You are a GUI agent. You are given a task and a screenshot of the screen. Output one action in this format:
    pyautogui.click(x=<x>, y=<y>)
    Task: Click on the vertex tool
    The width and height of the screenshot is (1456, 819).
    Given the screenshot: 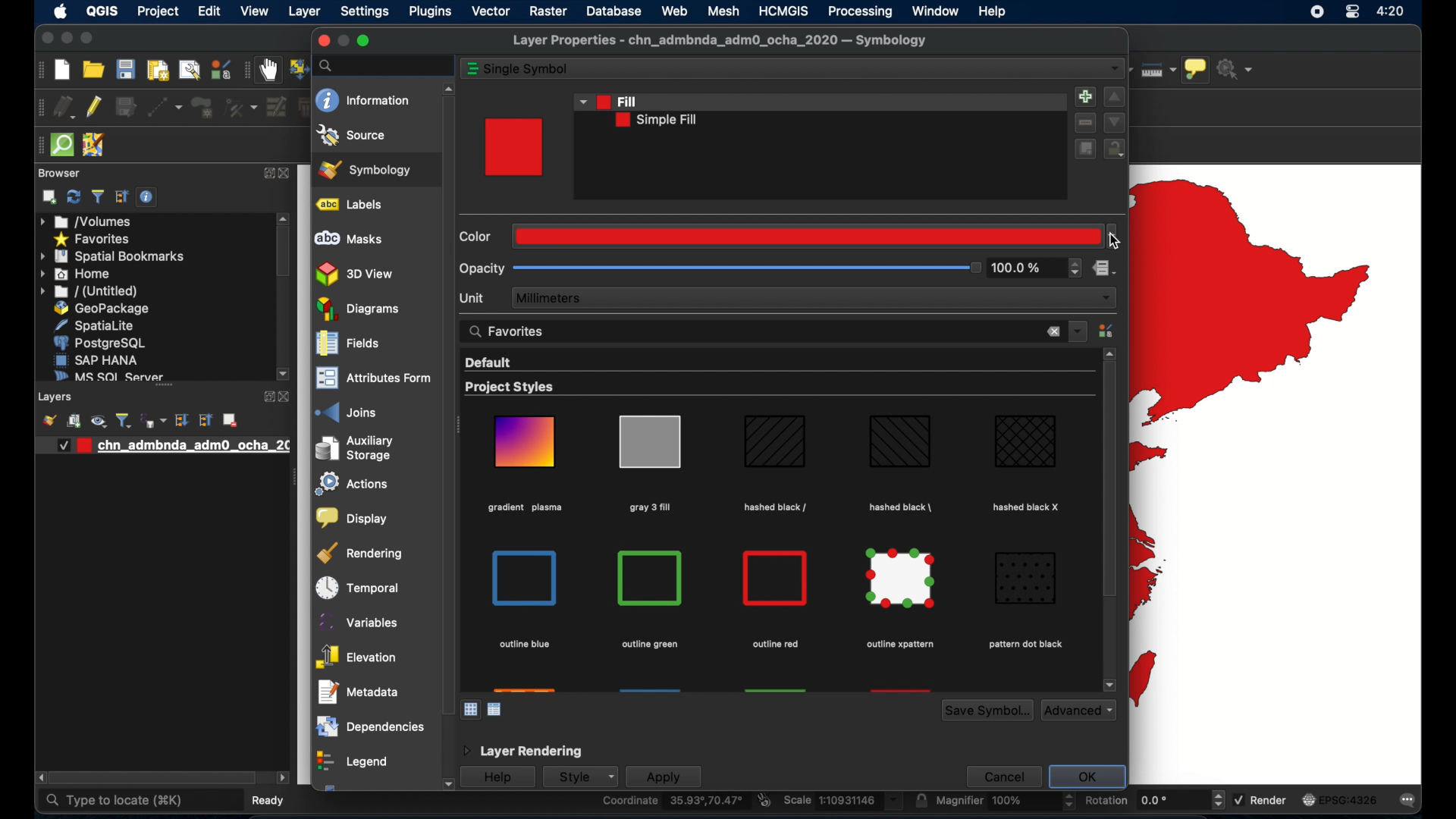 What is the action you would take?
    pyautogui.click(x=240, y=108)
    